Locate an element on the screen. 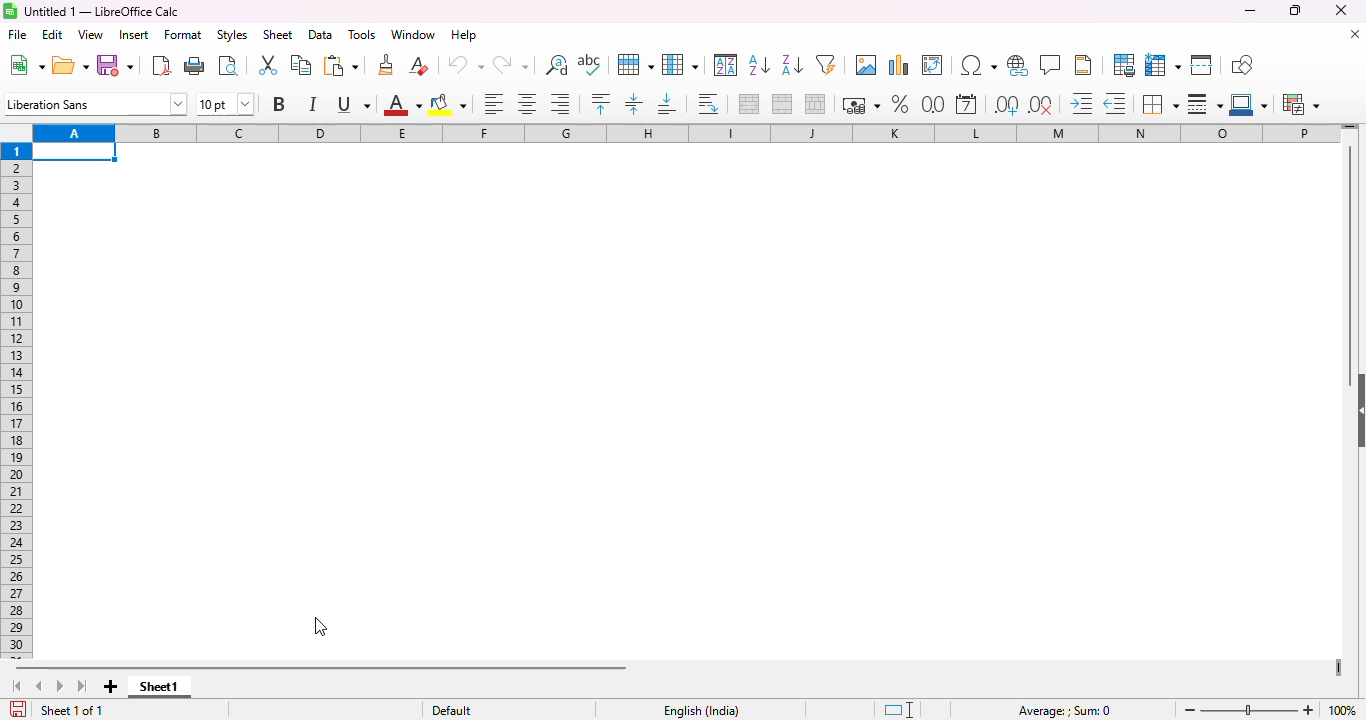  align bottom is located at coordinates (668, 104).